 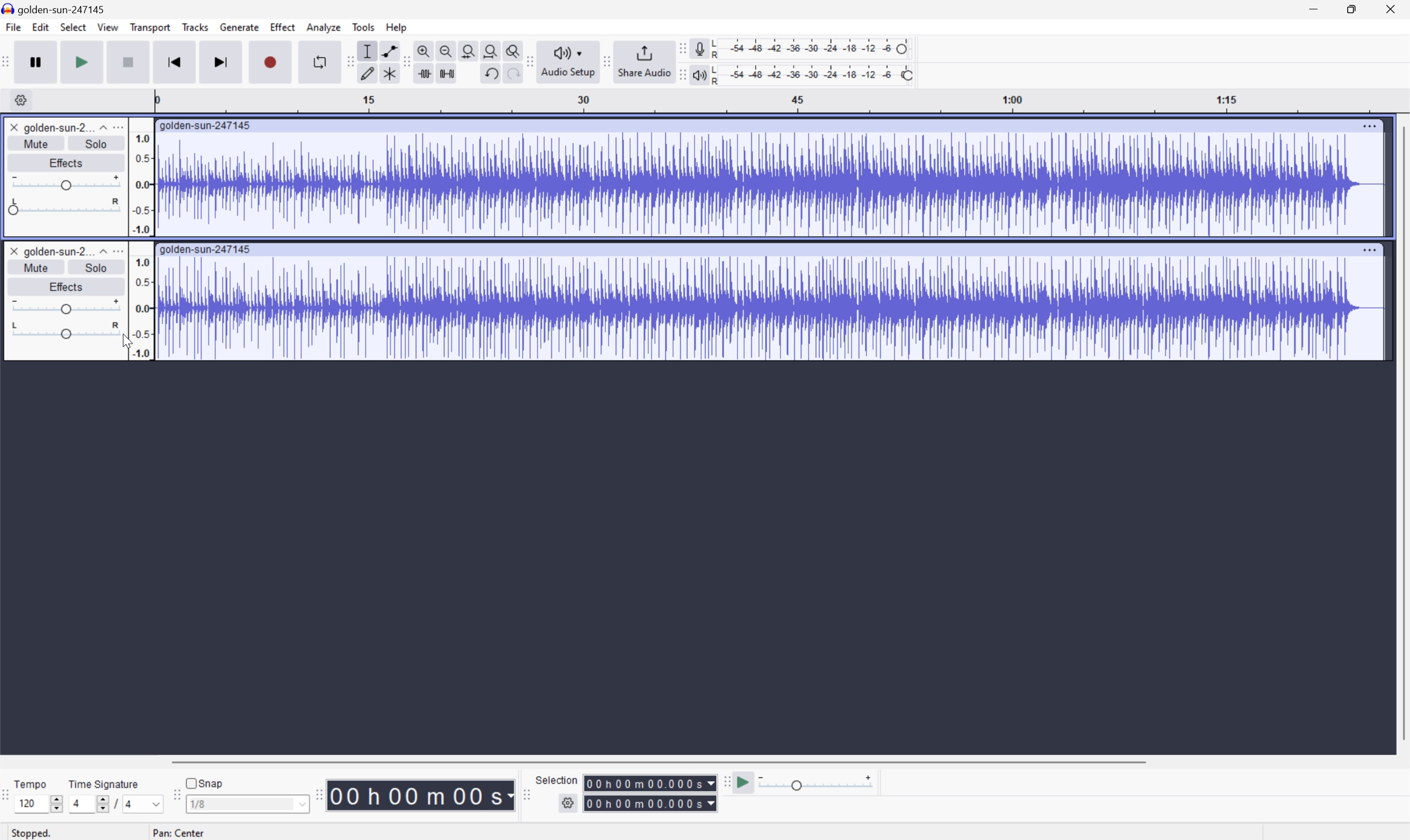 I want to click on Cursor, so click(x=128, y=341).